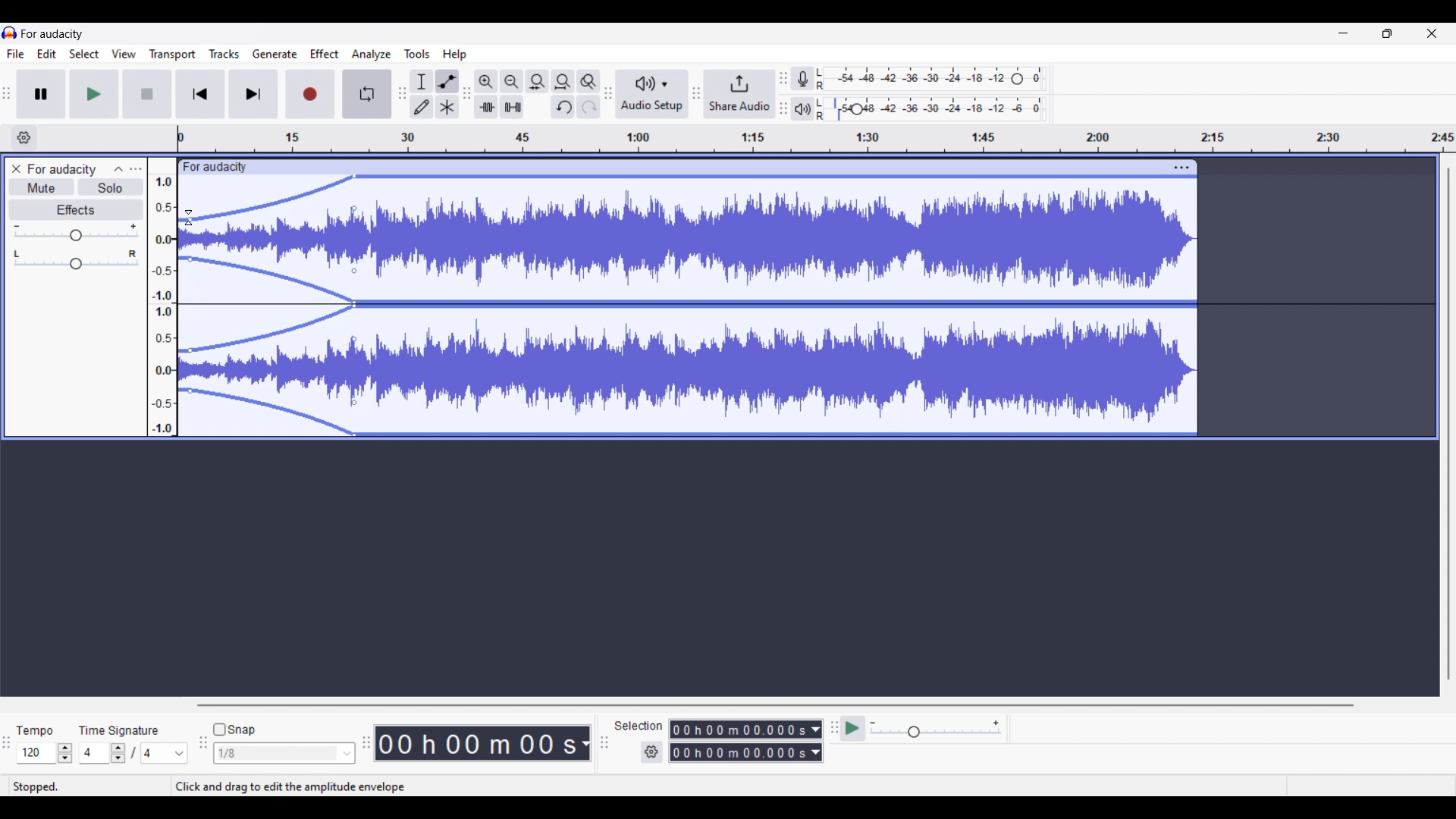  What do you see at coordinates (172, 55) in the screenshot?
I see `Transport` at bounding box center [172, 55].